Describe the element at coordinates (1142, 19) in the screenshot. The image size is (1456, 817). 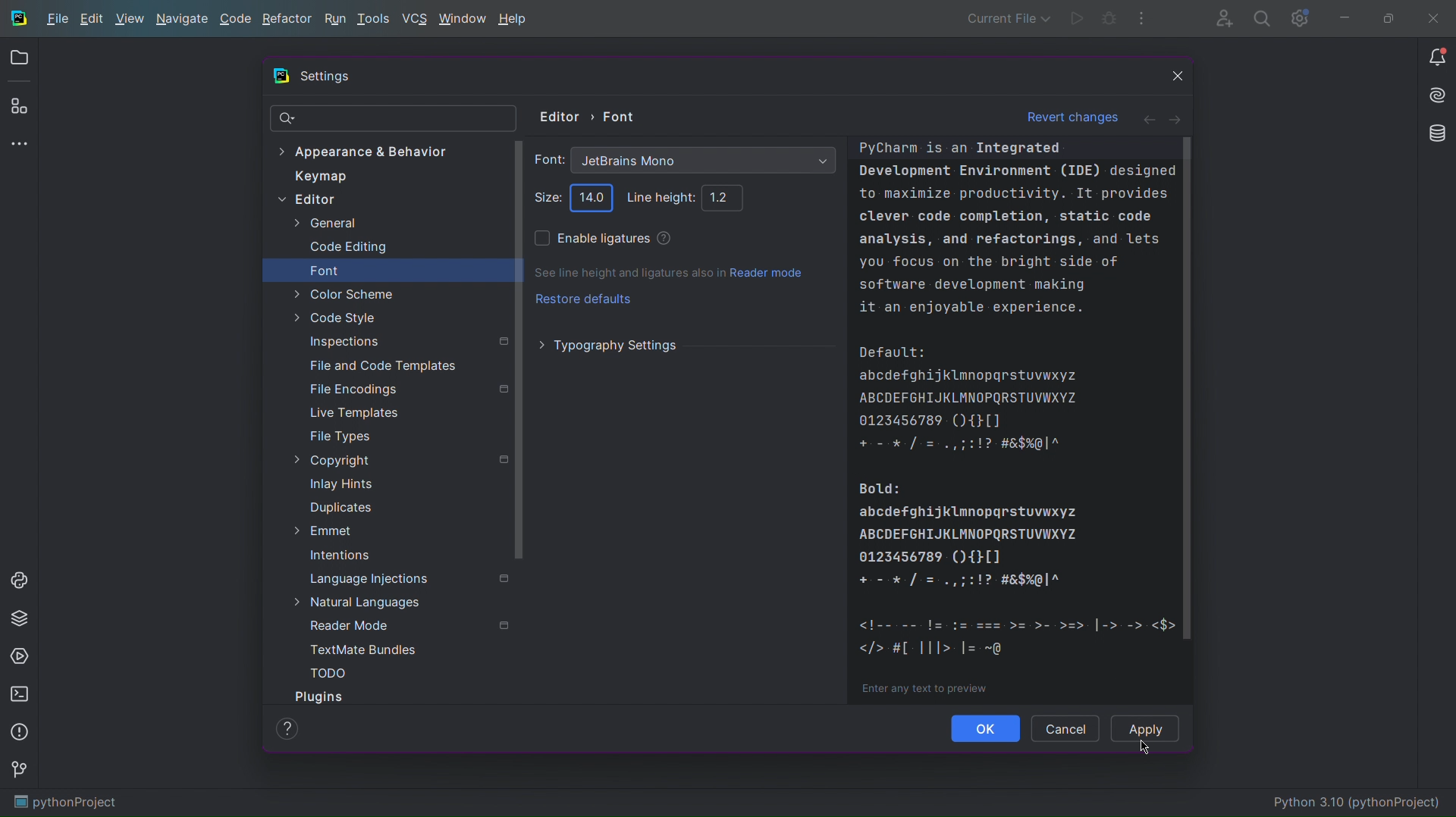
I see `More` at that location.